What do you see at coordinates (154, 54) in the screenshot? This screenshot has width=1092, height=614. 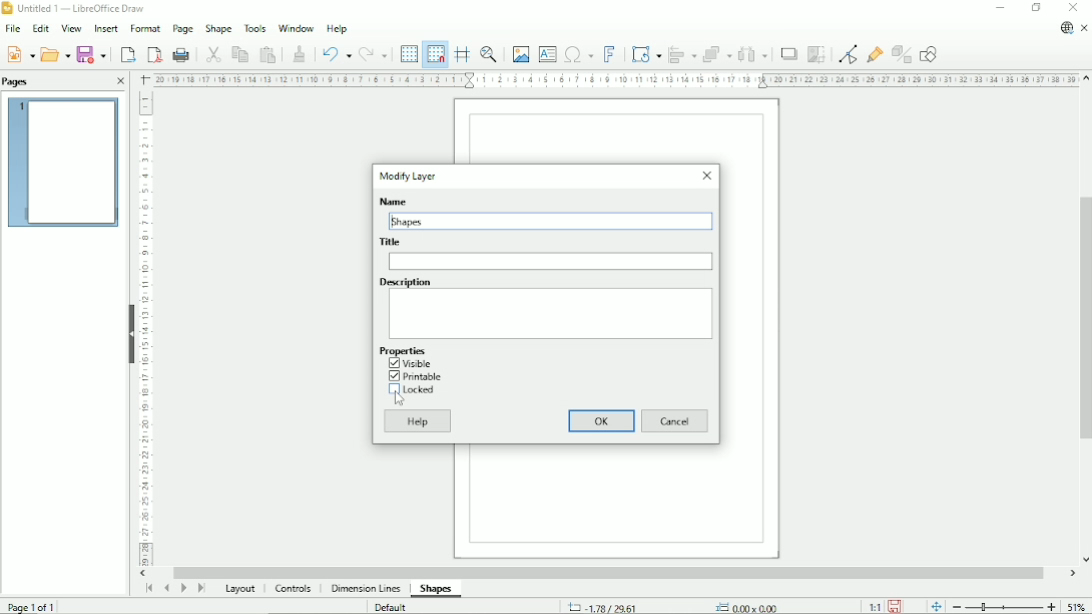 I see `Export directly as PDF` at bounding box center [154, 54].